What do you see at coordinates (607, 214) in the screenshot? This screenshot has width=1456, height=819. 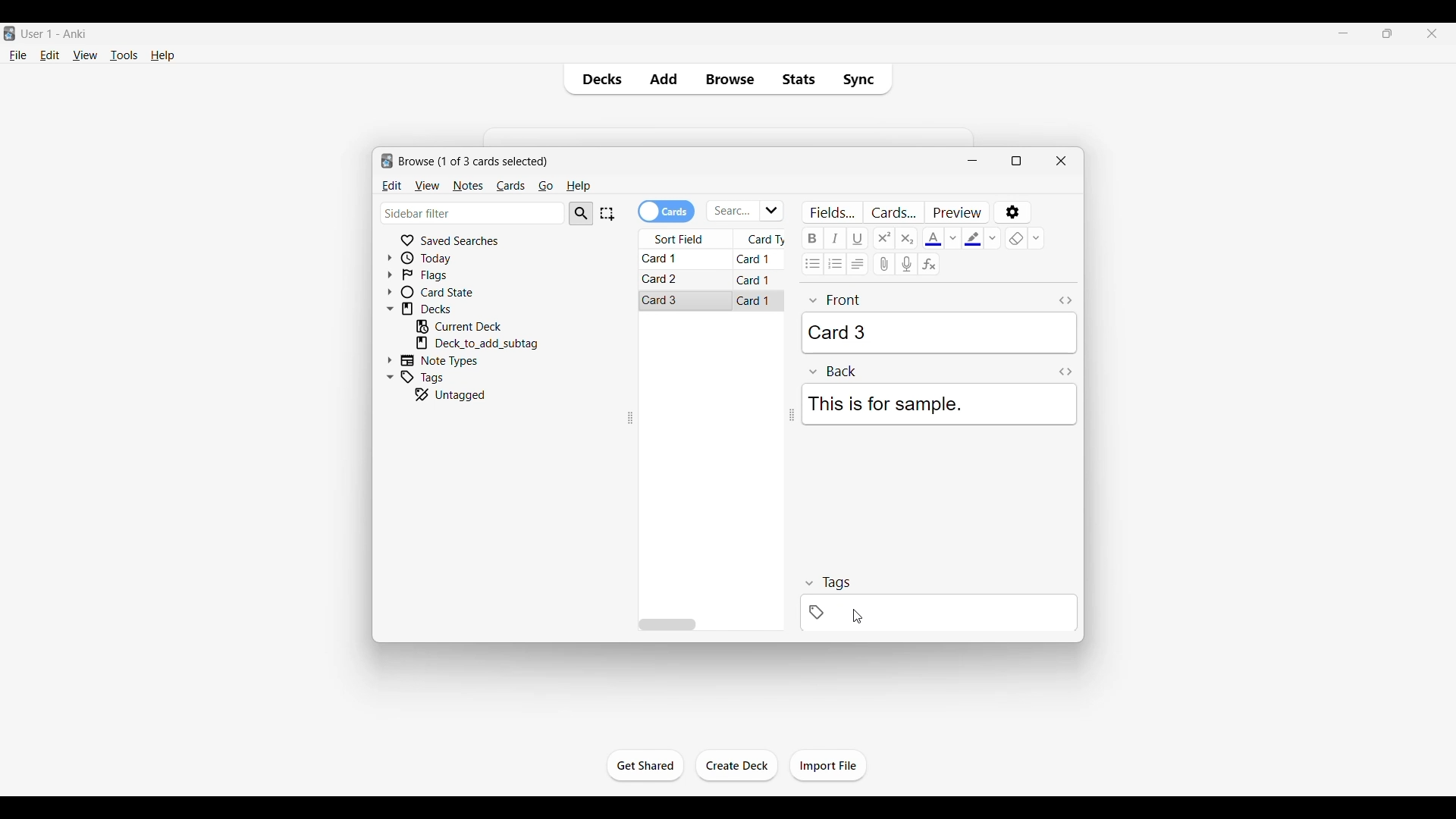 I see `Select` at bounding box center [607, 214].